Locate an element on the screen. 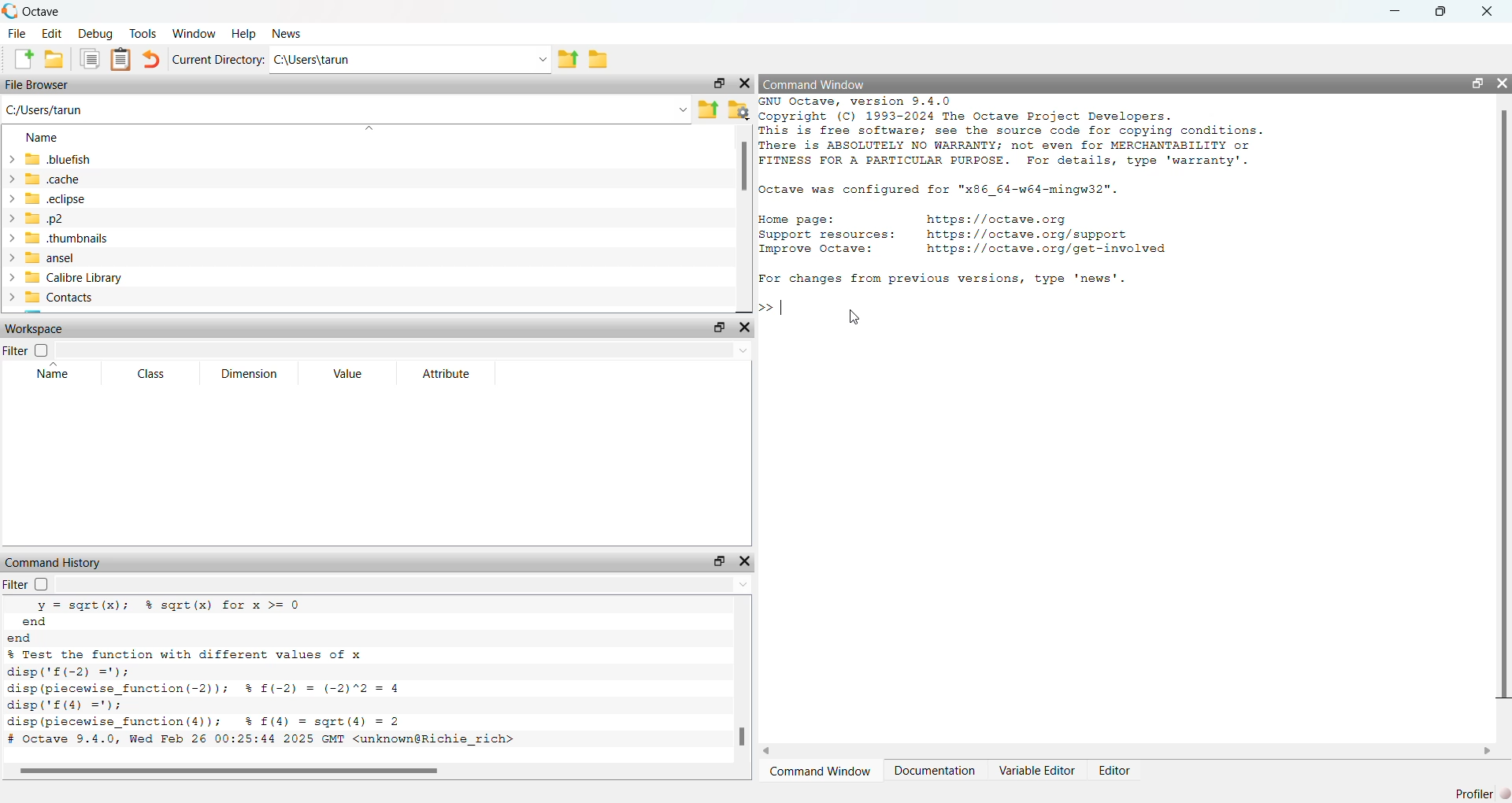  Variable Editor is located at coordinates (1037, 770).